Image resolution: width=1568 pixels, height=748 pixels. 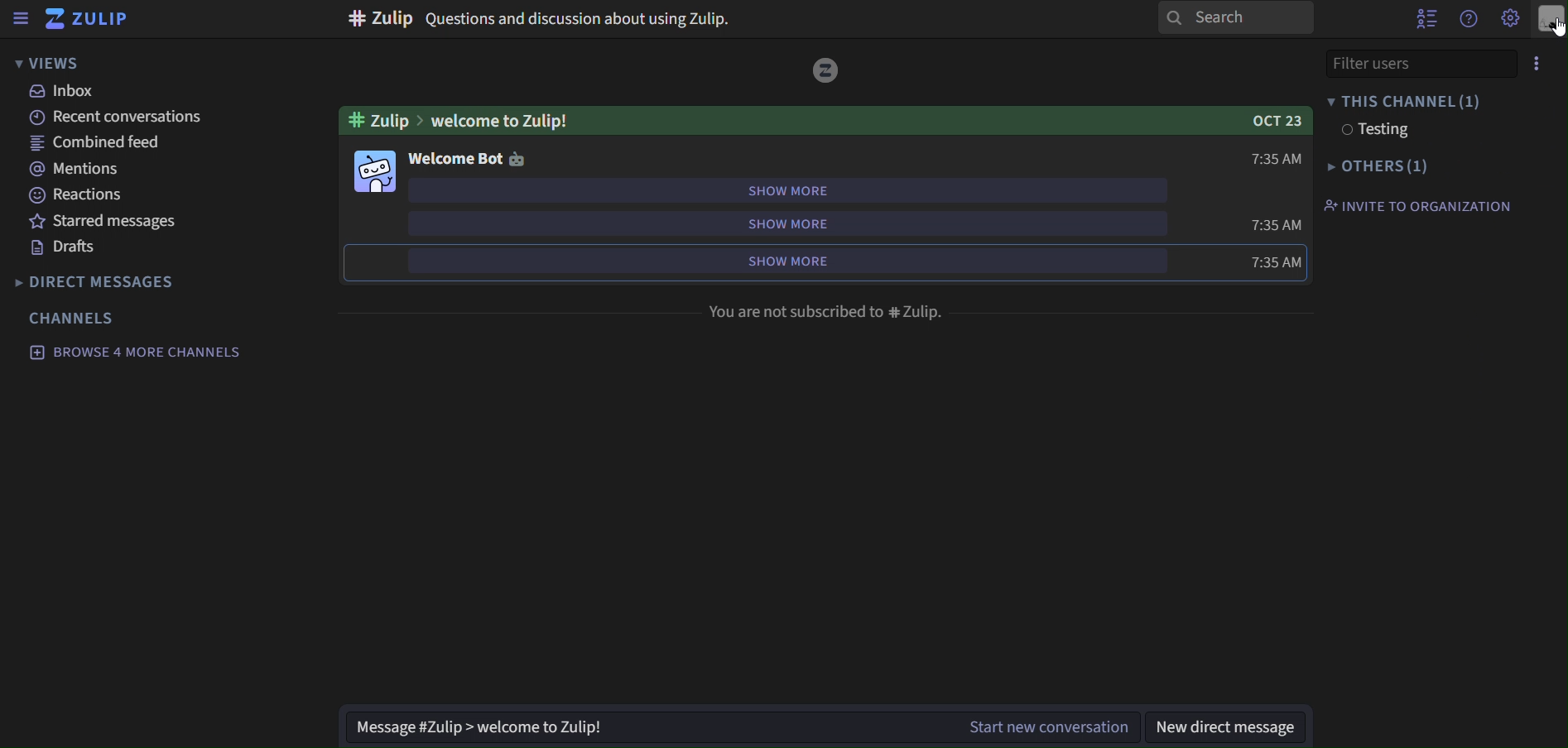 I want to click on search, so click(x=1228, y=19).